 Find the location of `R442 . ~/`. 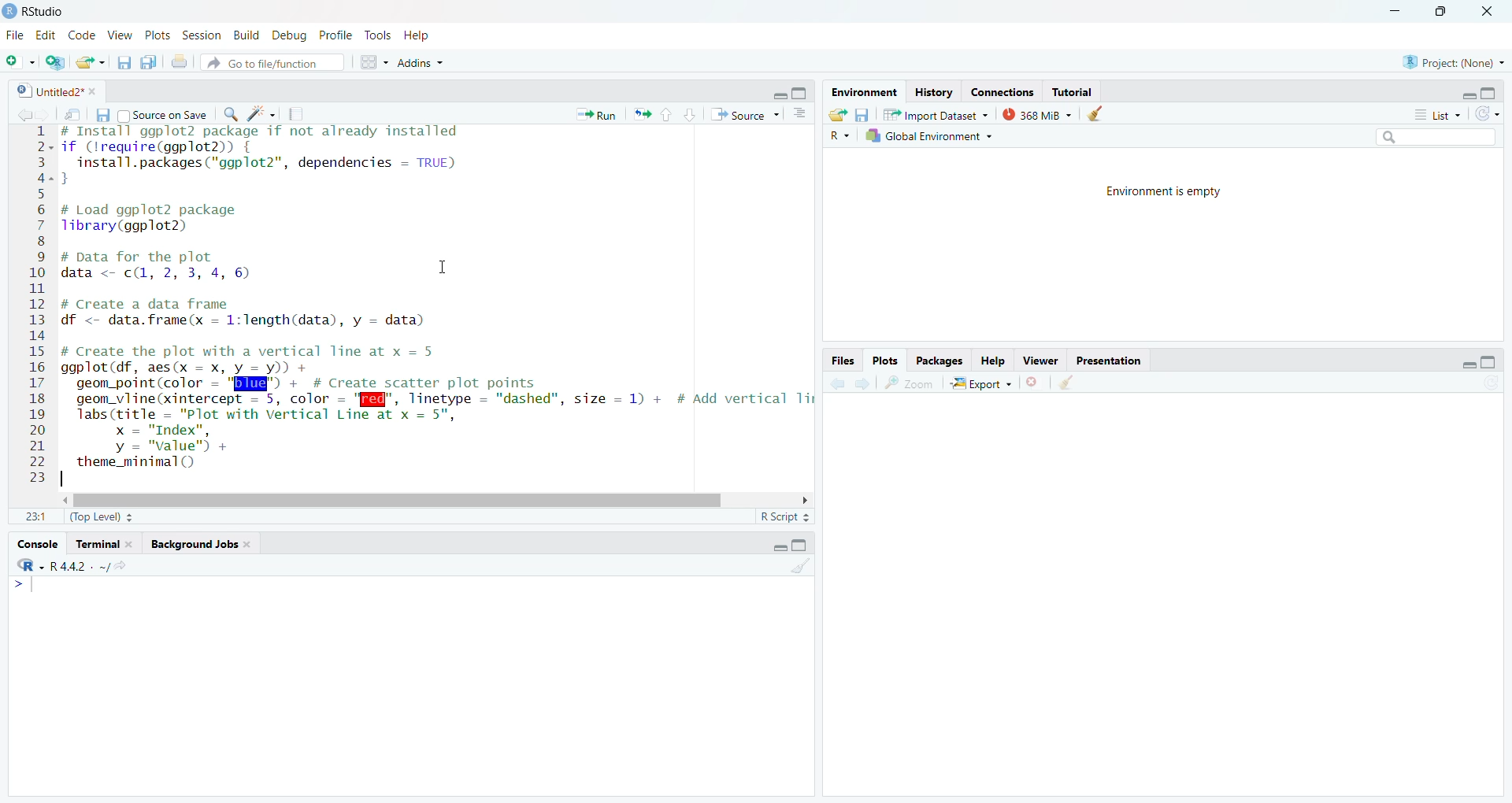

R442 . ~/ is located at coordinates (63, 565).